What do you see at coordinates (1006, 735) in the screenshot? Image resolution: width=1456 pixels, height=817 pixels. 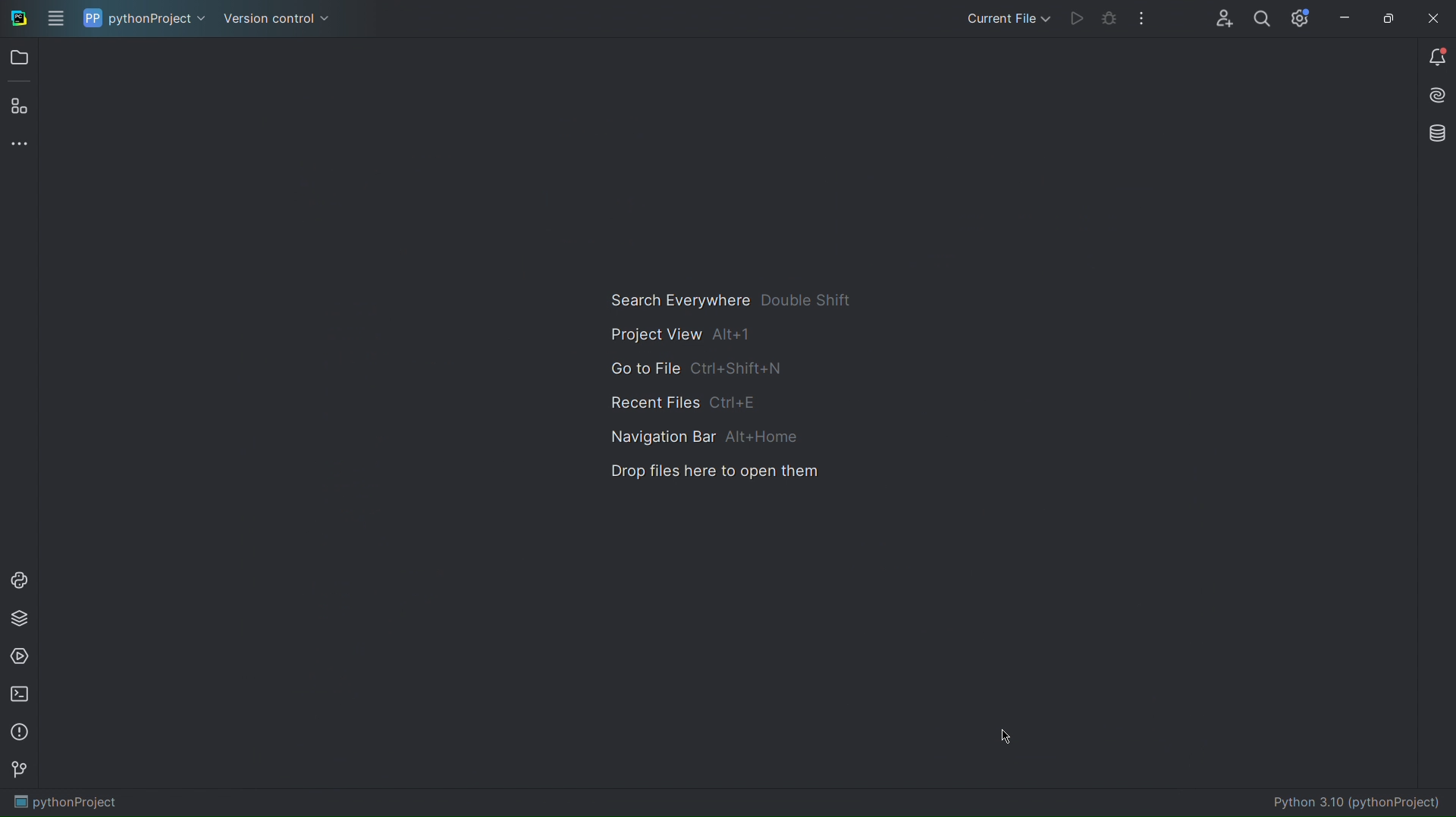 I see `Cursor` at bounding box center [1006, 735].